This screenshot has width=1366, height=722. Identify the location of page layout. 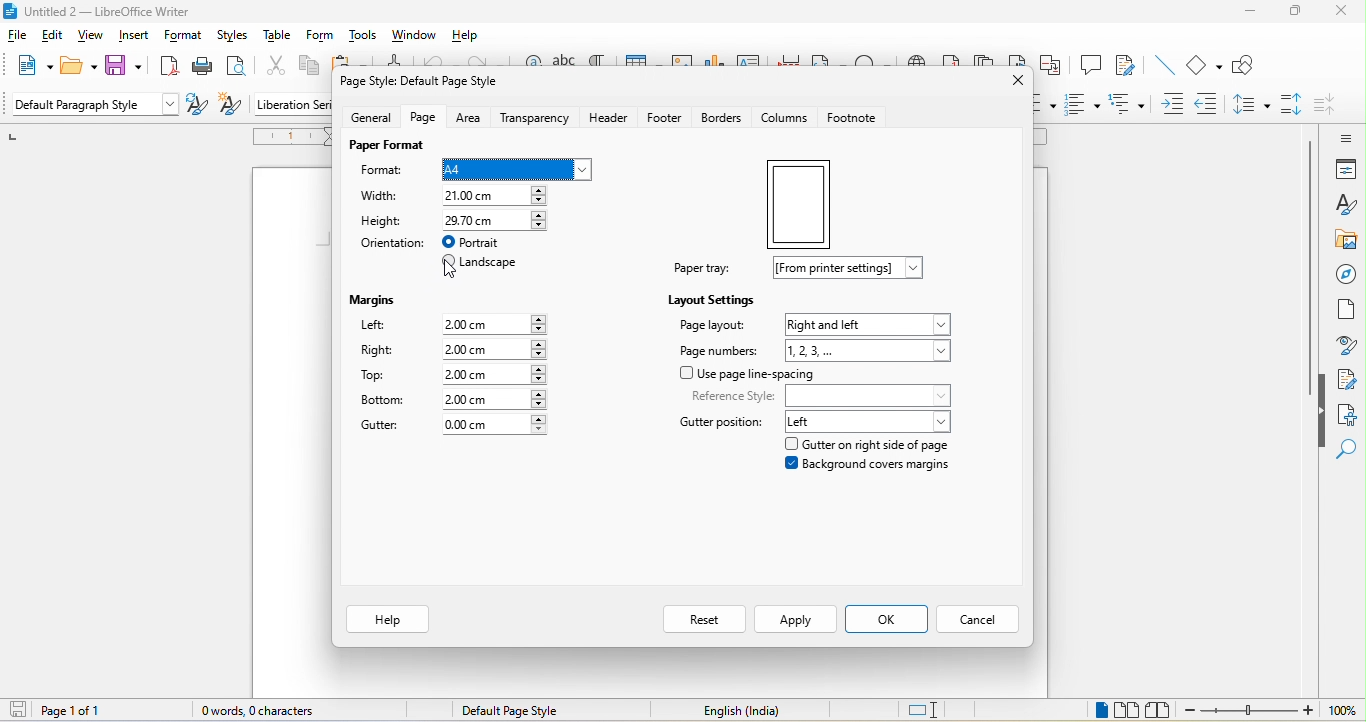
(713, 329).